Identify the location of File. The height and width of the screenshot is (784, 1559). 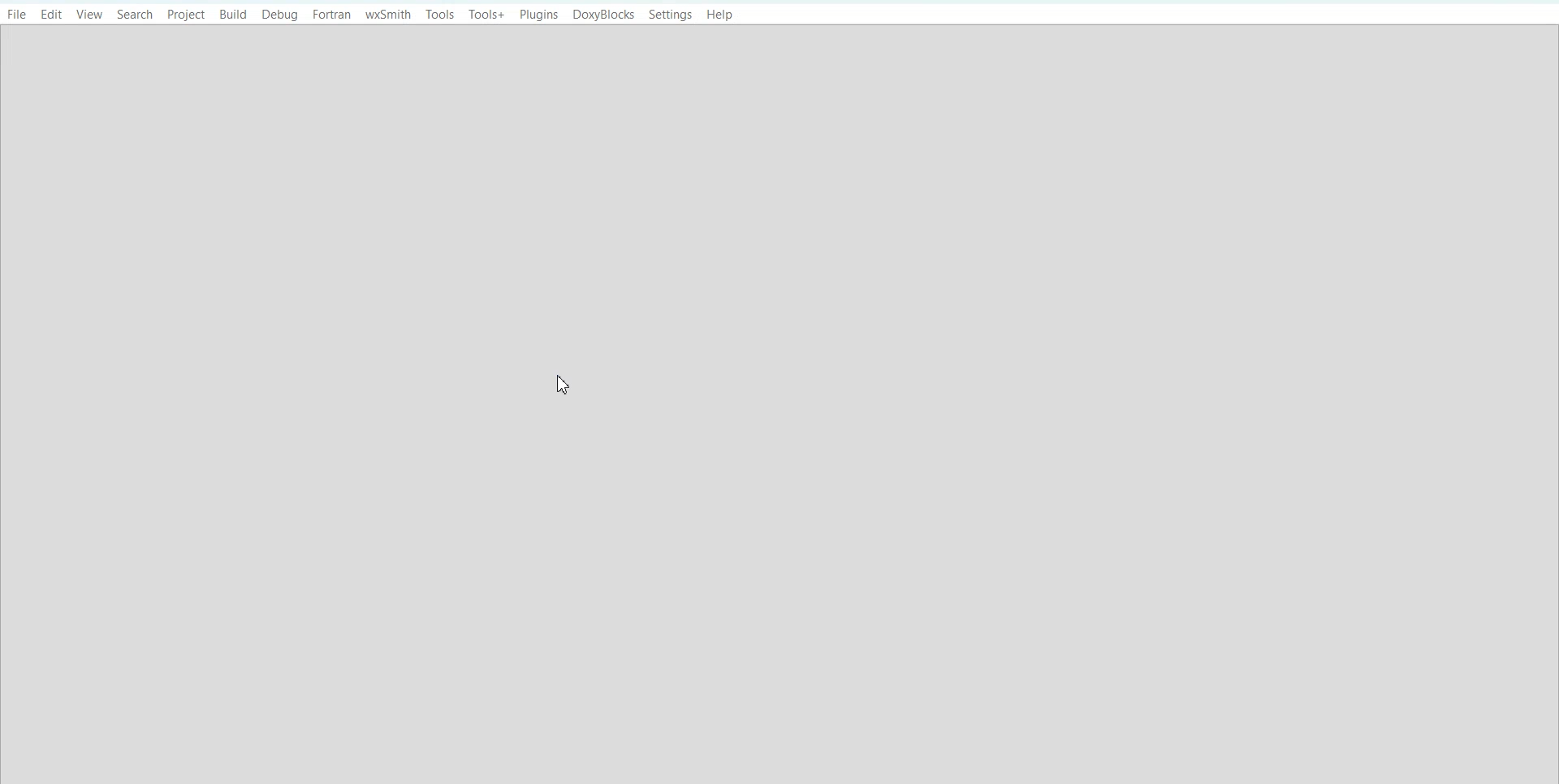
(16, 14).